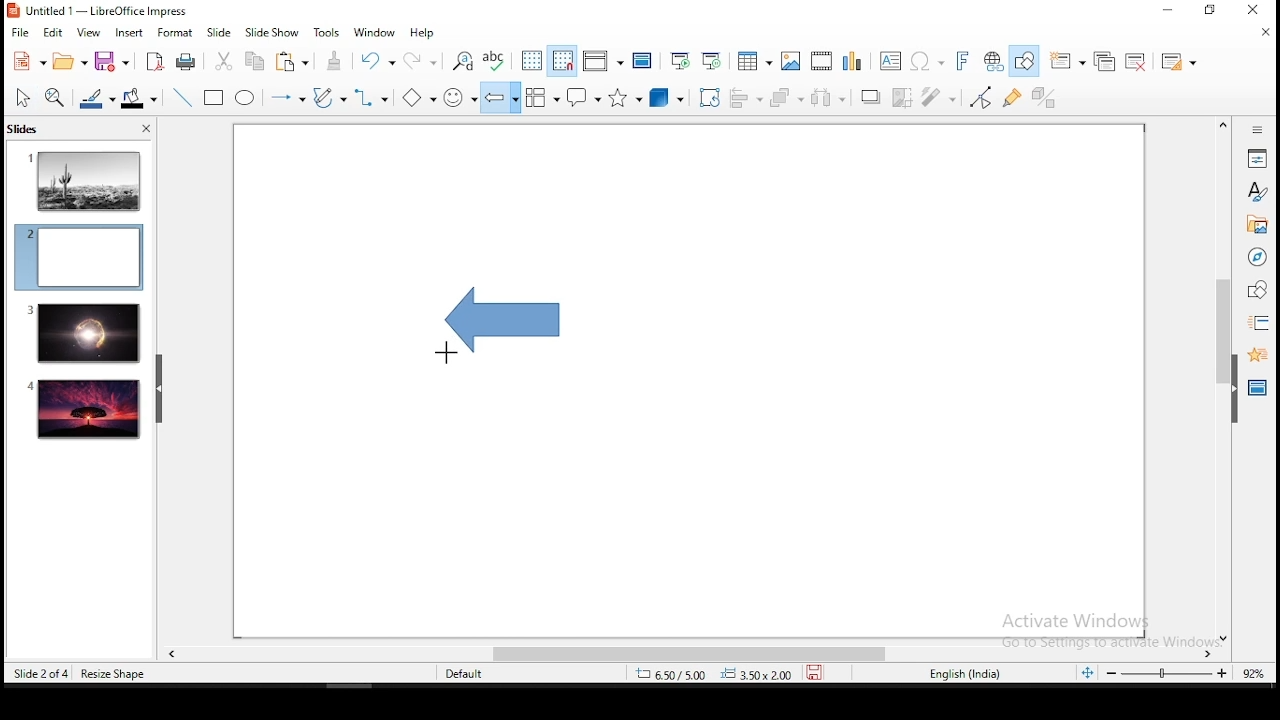 Image resolution: width=1280 pixels, height=720 pixels. I want to click on english (india), so click(967, 673).